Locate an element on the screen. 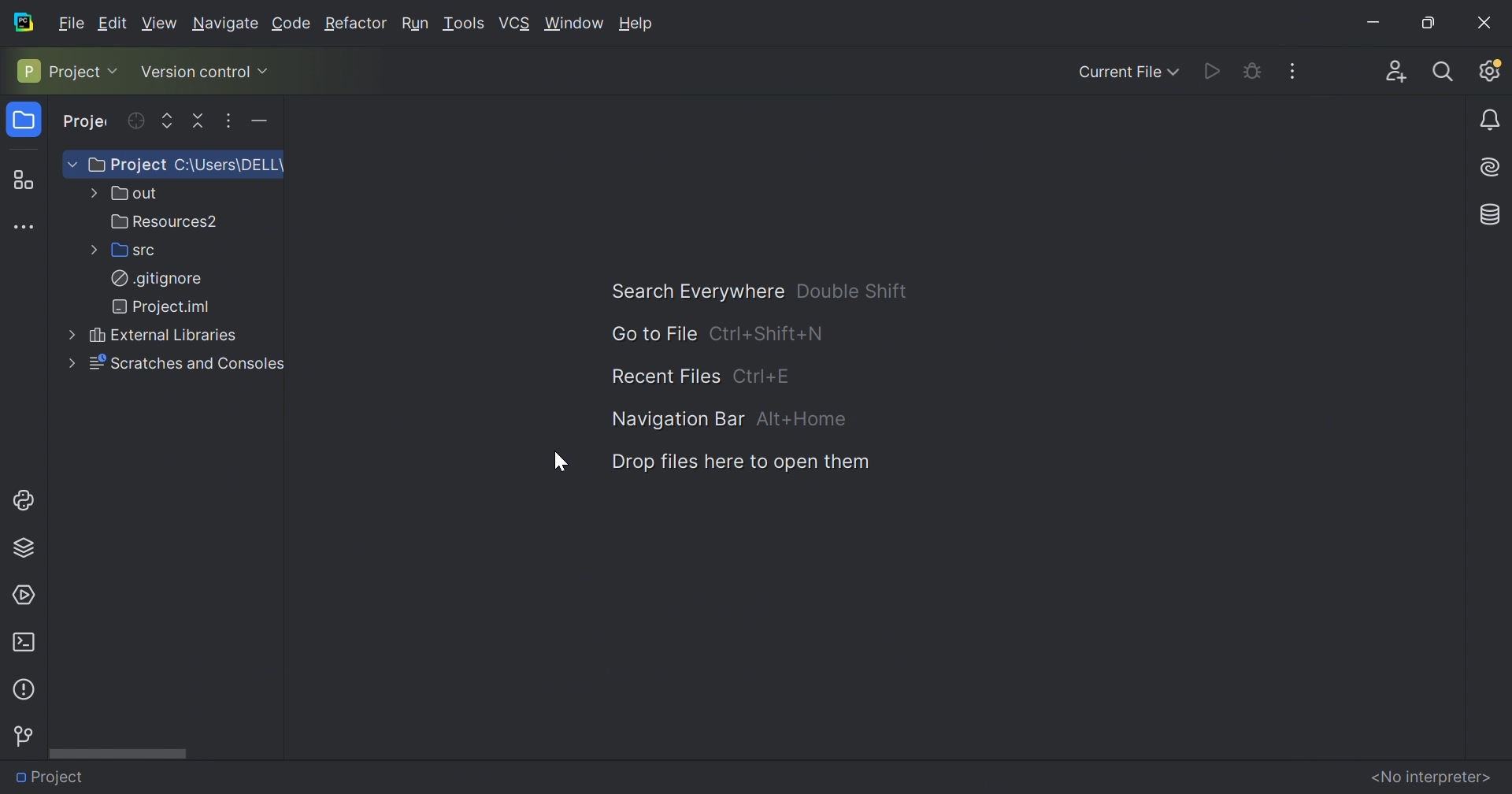 This screenshot has width=1512, height=794. .gitignore is located at coordinates (155, 279).